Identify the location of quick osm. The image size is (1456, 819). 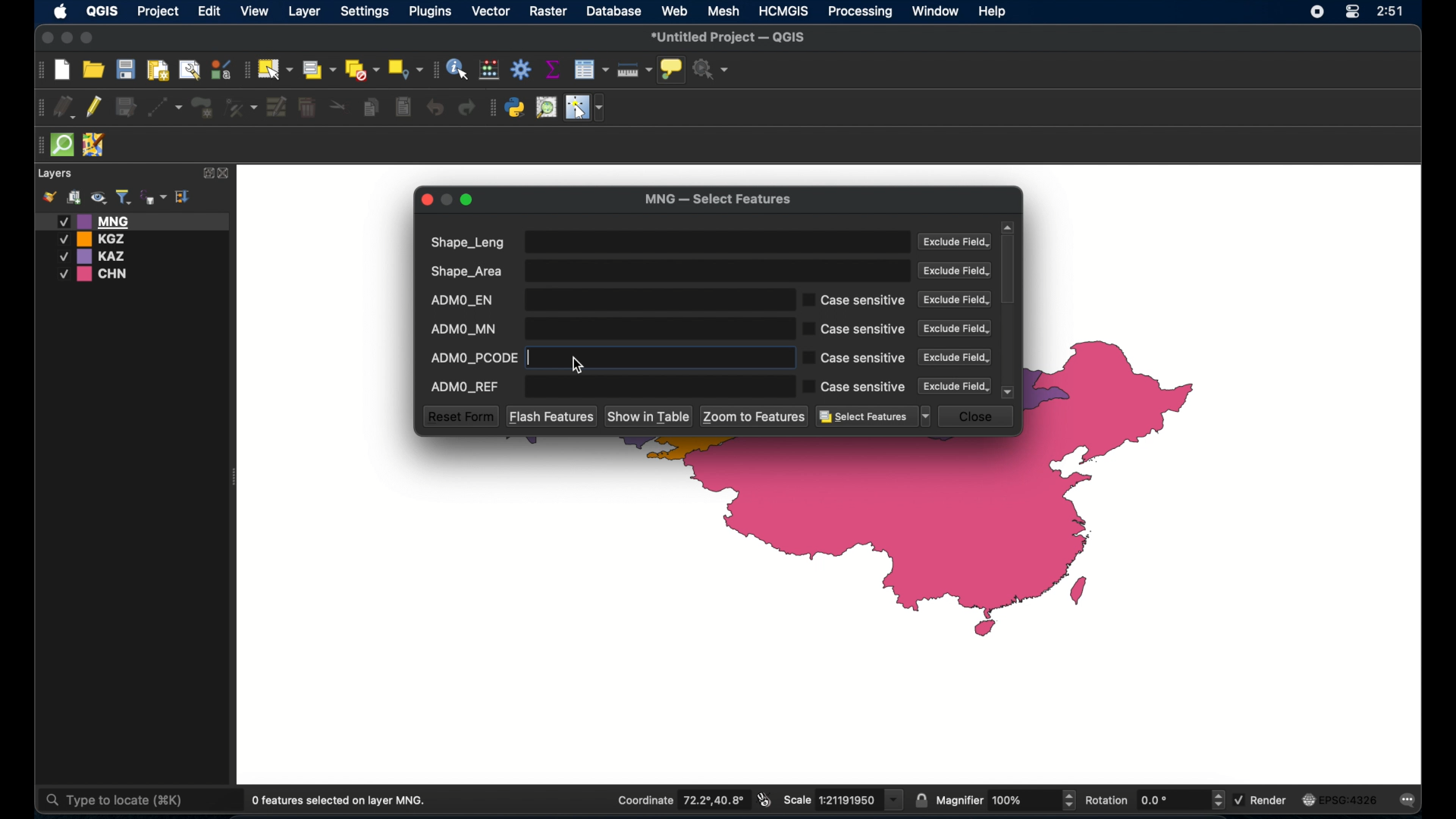
(63, 146).